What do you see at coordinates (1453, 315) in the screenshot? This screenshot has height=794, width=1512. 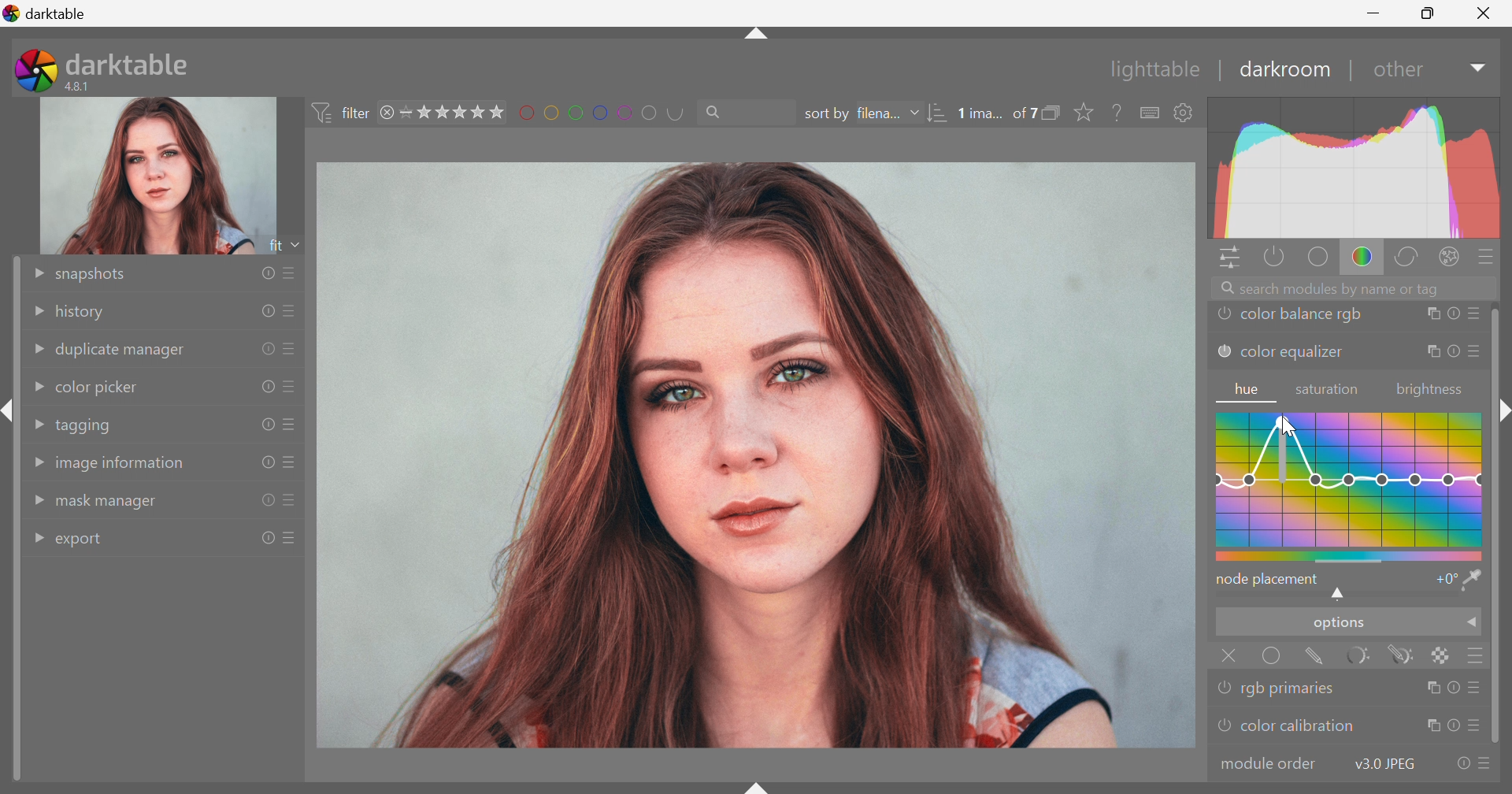 I see `reset` at bounding box center [1453, 315].